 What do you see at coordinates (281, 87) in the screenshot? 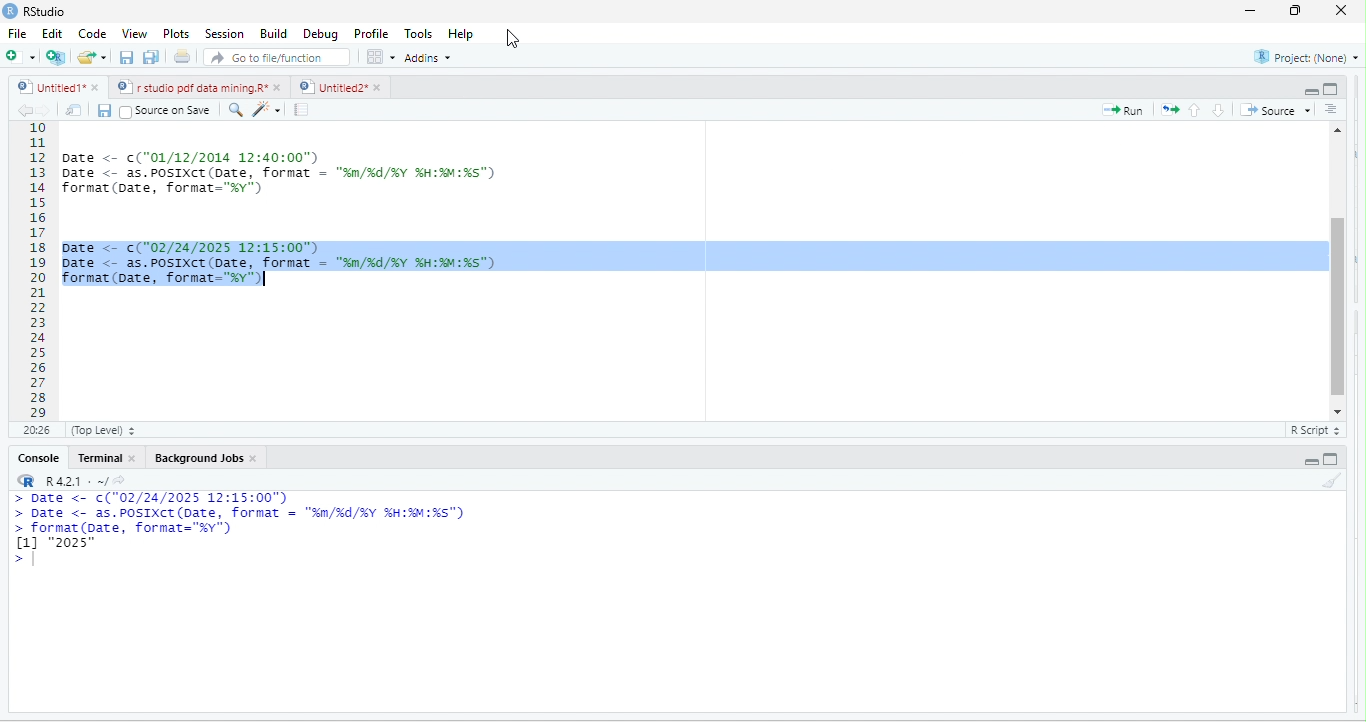
I see `close` at bounding box center [281, 87].